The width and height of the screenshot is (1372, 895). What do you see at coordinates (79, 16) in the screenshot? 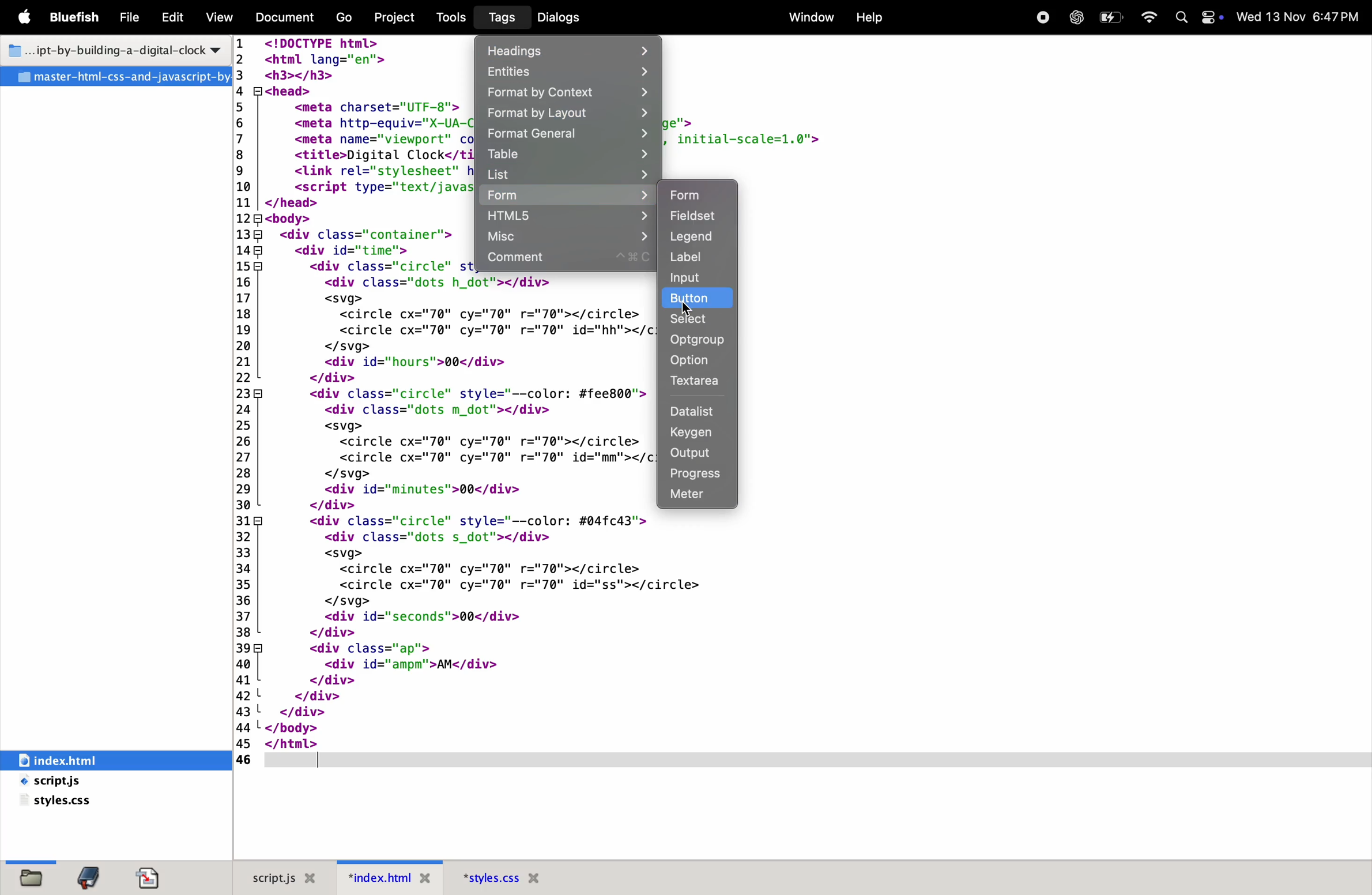
I see `Blue fish` at bounding box center [79, 16].